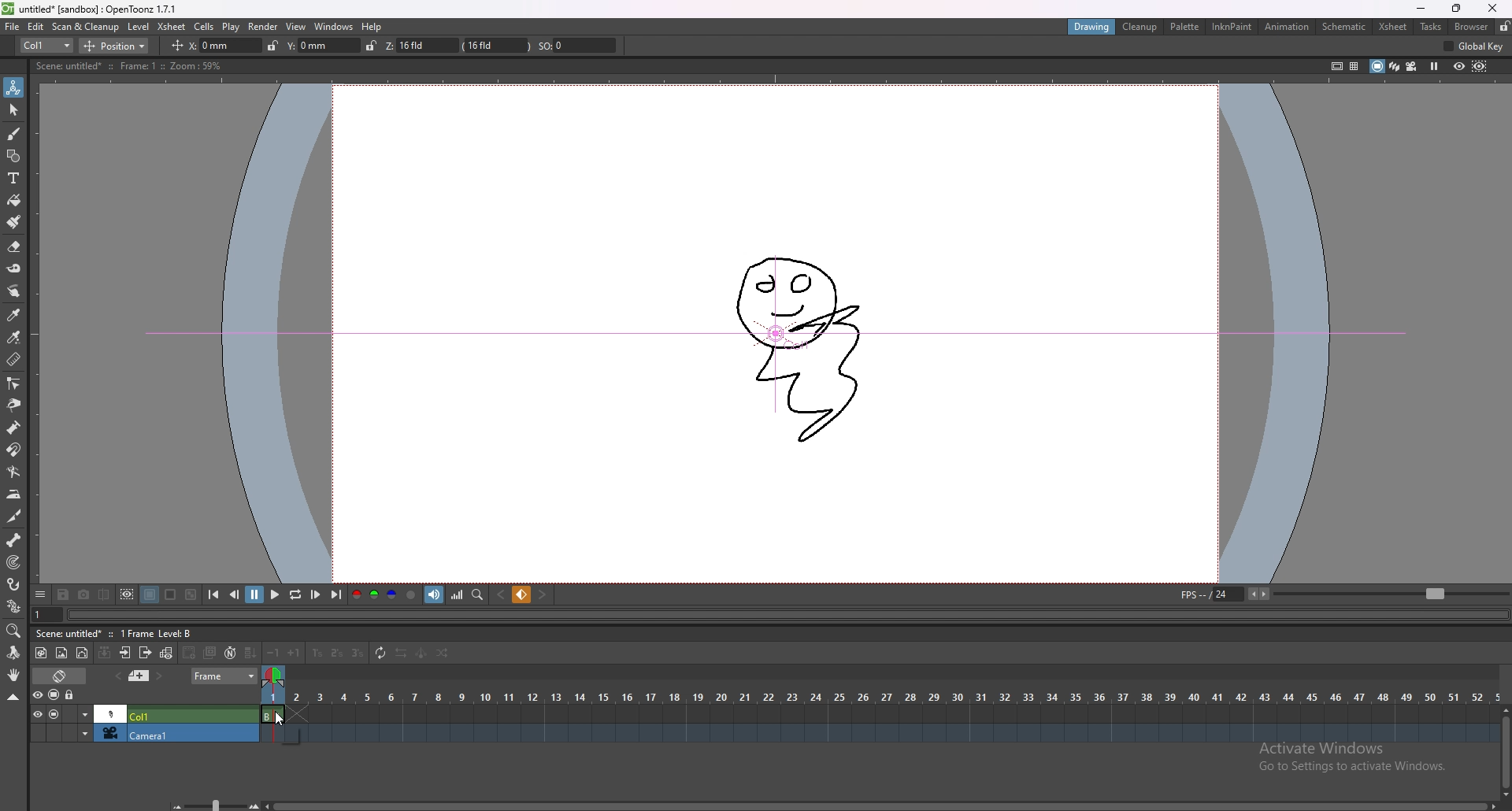  I want to click on text, so click(14, 178).